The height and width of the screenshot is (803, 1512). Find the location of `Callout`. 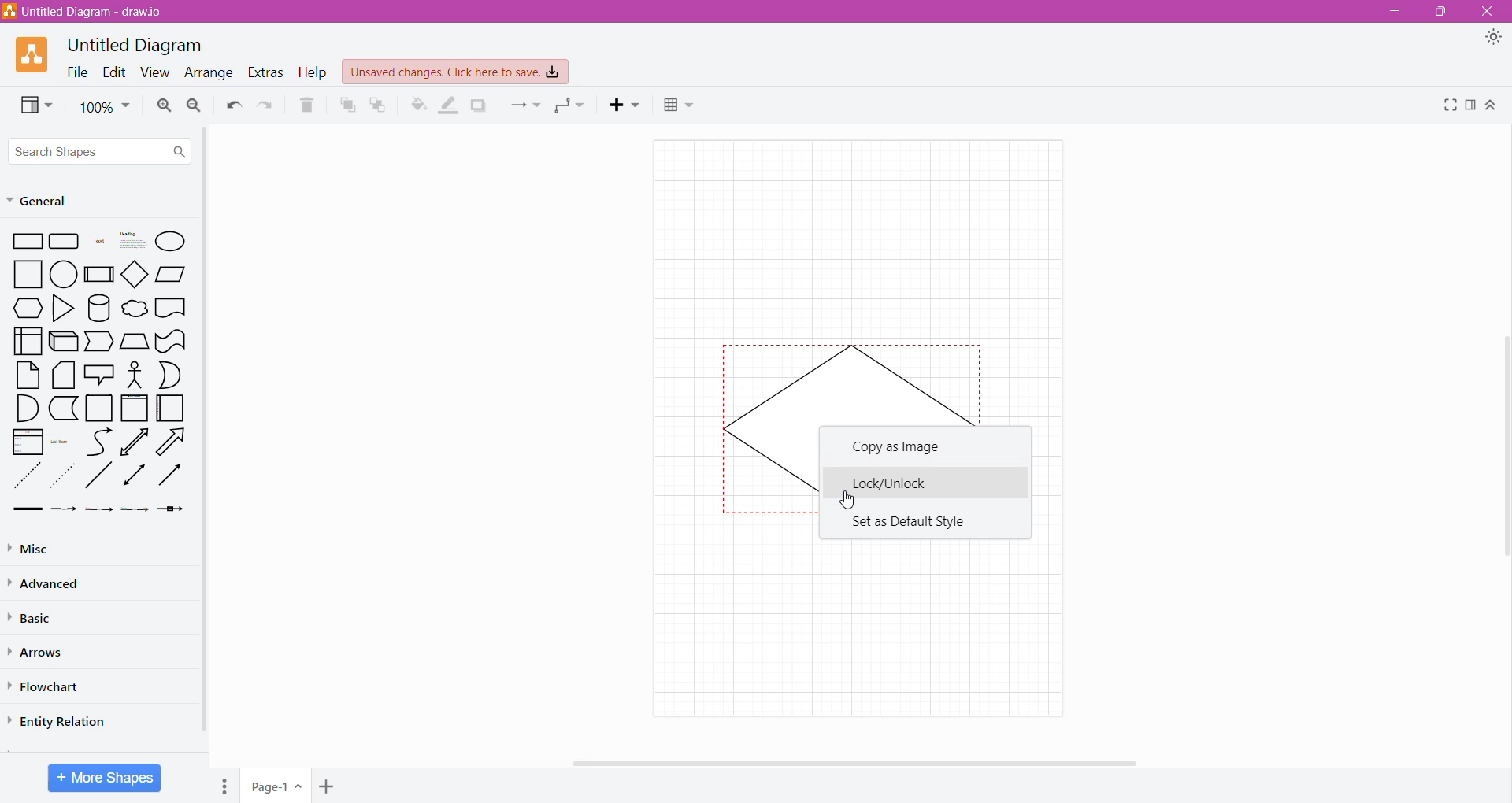

Callout is located at coordinates (98, 376).